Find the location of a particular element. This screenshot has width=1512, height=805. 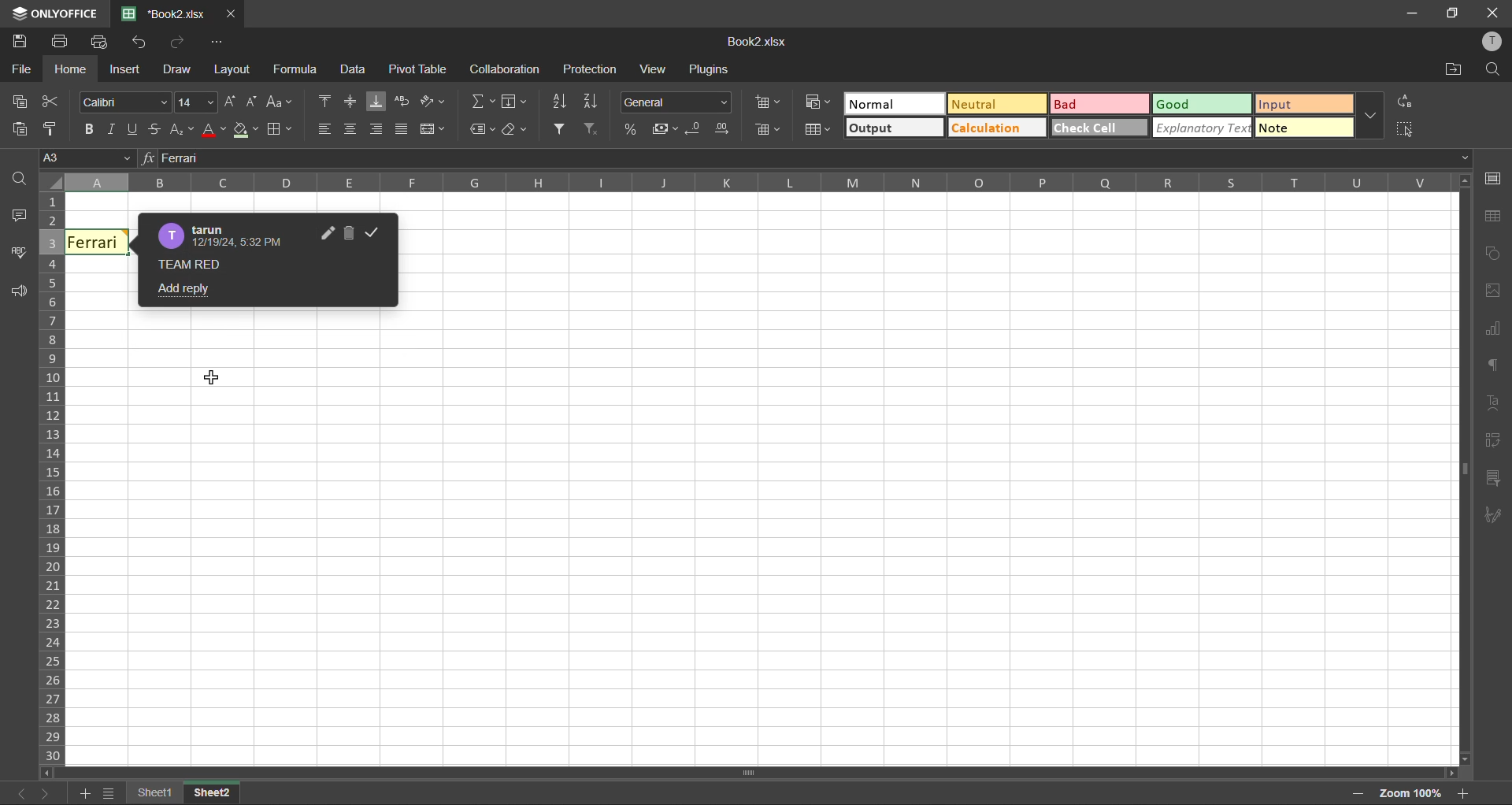

comments is located at coordinates (20, 220).